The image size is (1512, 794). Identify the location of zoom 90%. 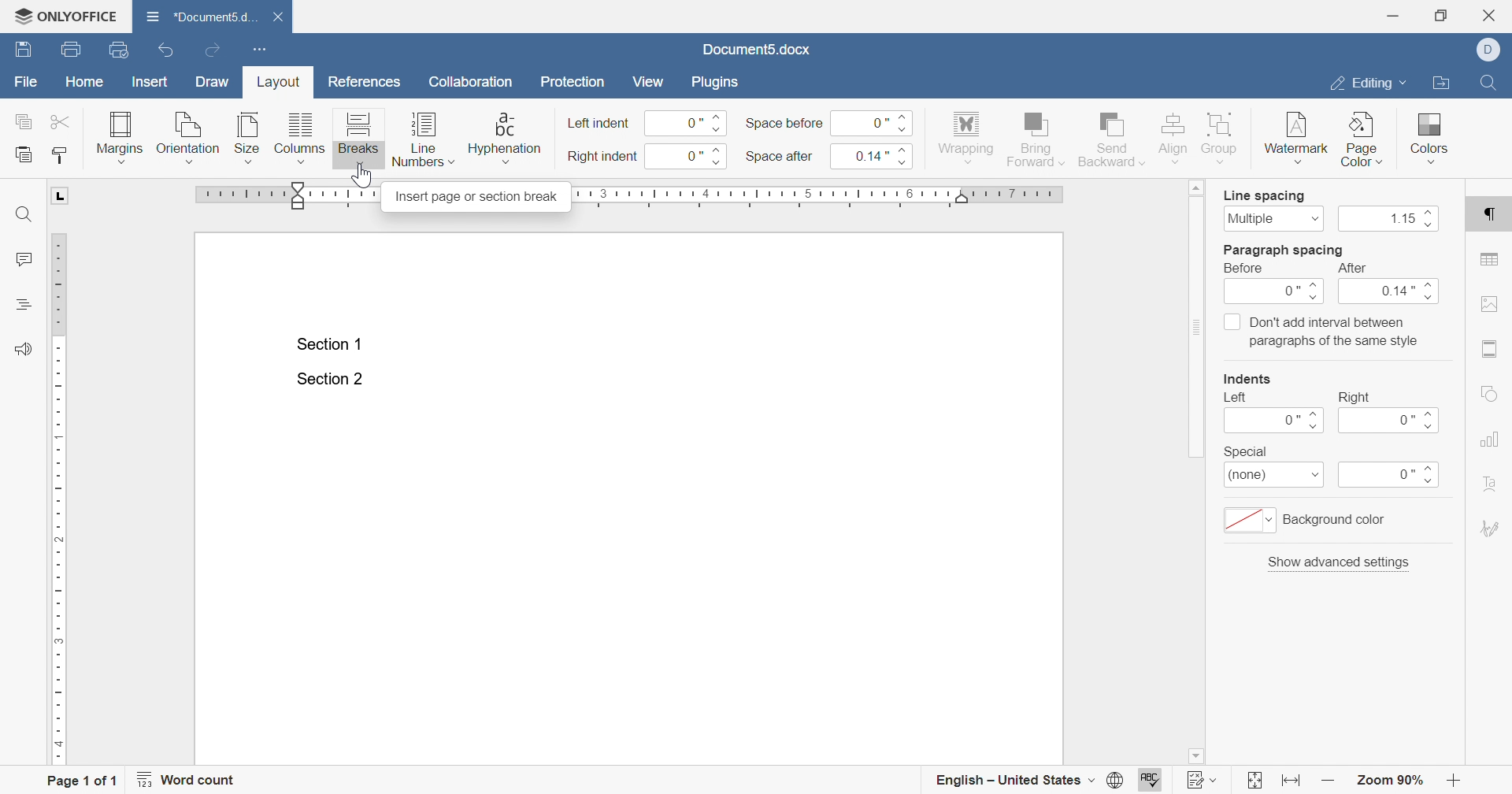
(1388, 780).